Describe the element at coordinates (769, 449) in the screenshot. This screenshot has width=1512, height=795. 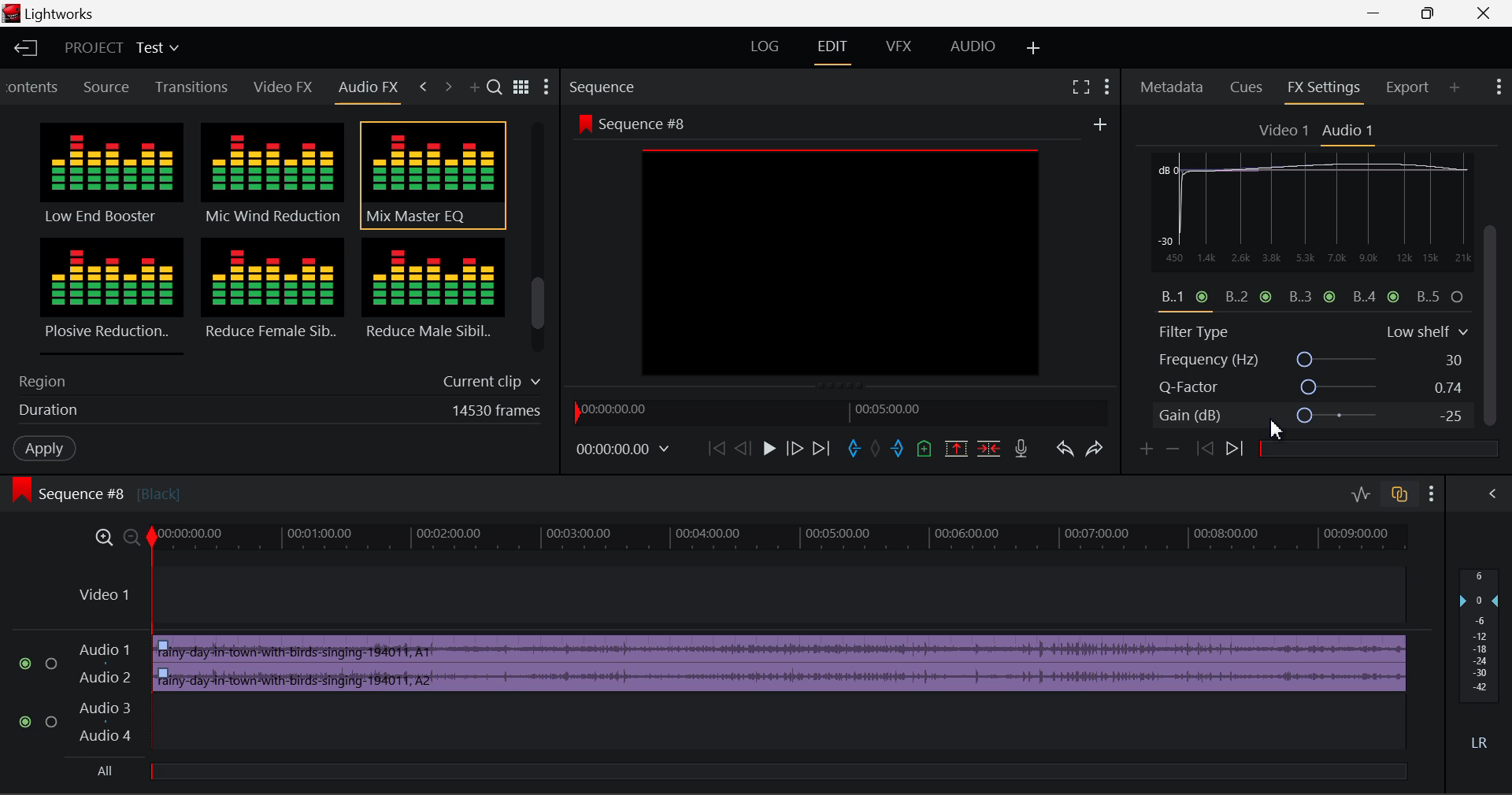
I see `Play` at that location.